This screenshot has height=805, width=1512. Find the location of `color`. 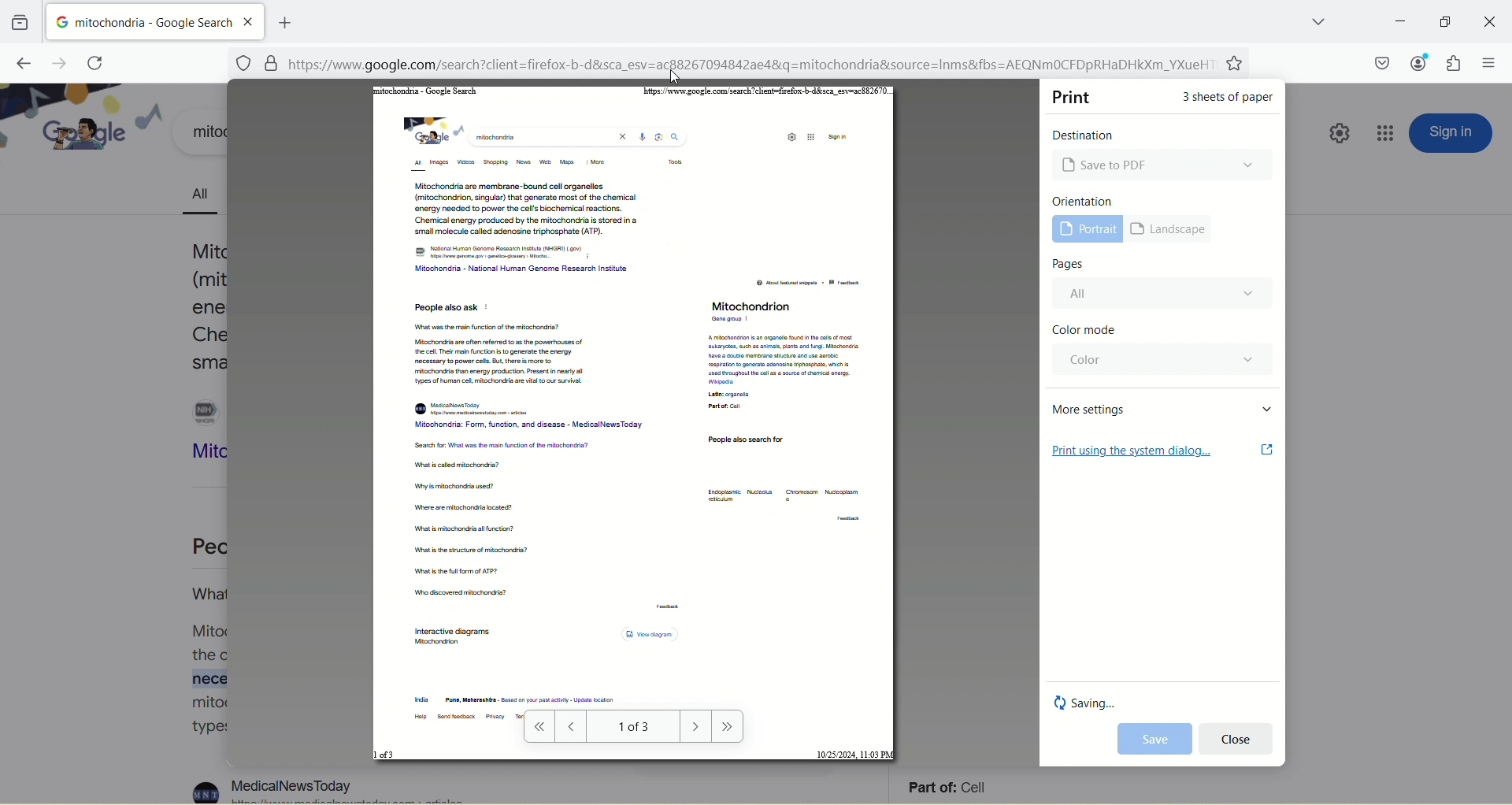

color is located at coordinates (1159, 359).